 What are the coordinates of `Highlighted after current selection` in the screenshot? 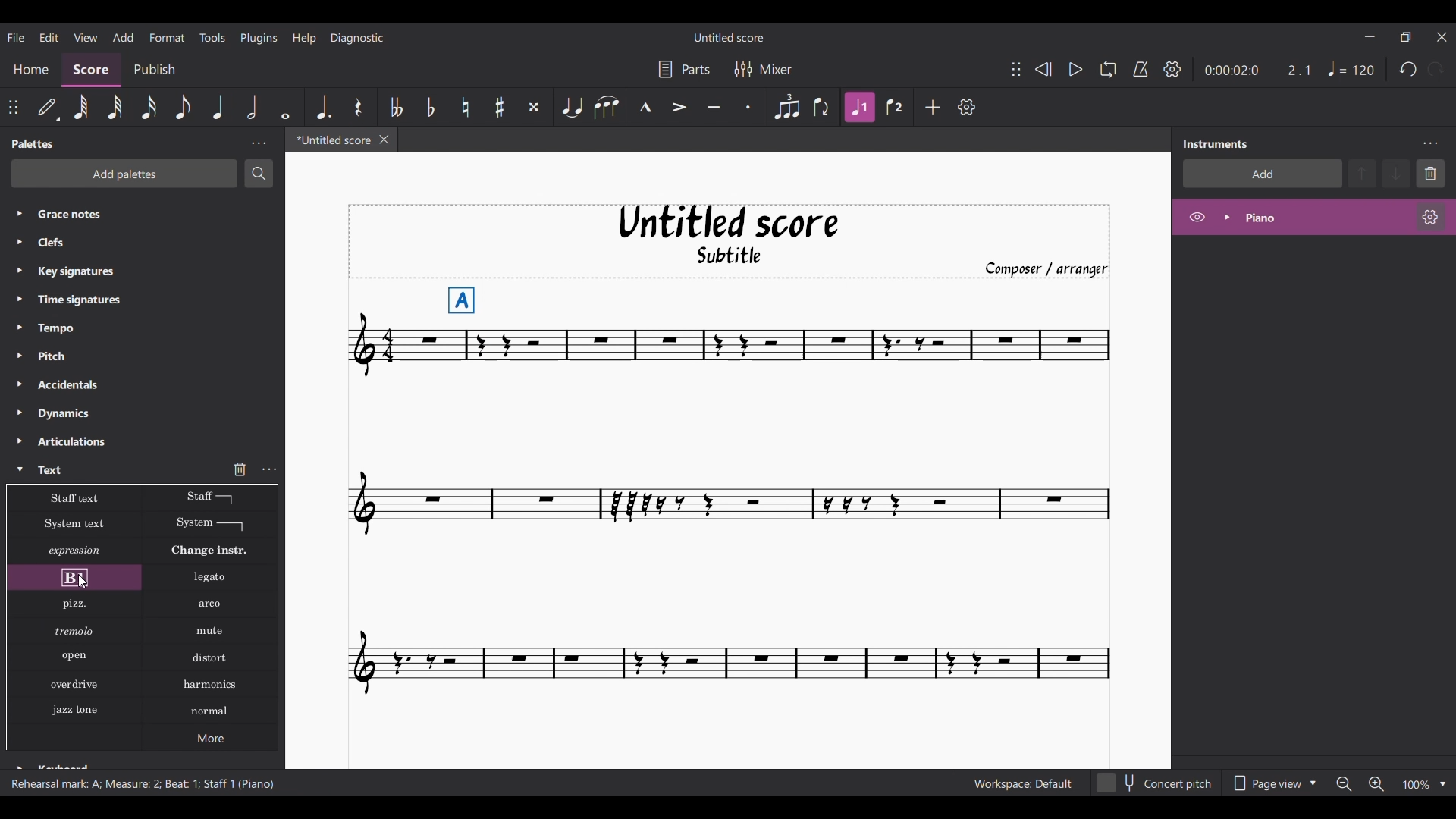 It's located at (860, 107).